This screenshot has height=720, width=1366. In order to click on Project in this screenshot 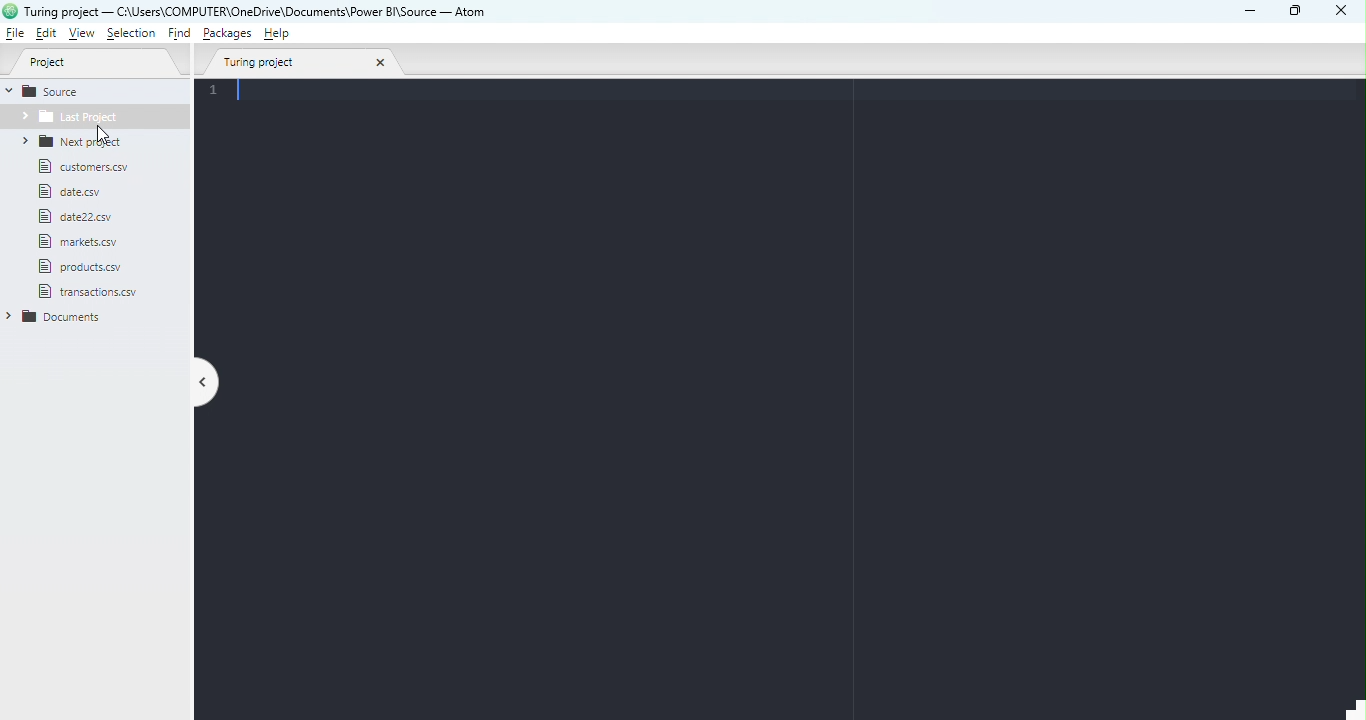, I will do `click(94, 62)`.